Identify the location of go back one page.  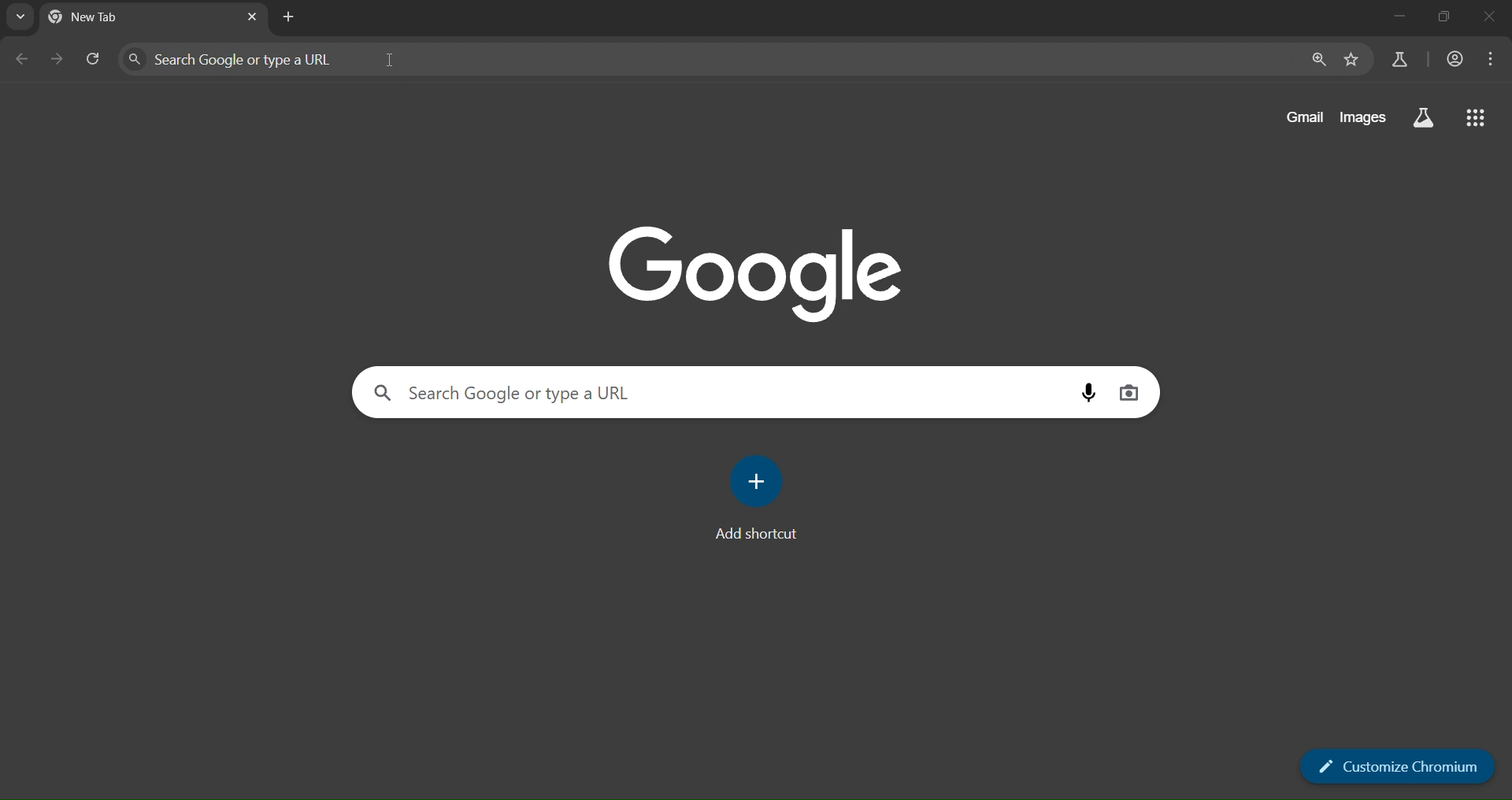
(20, 61).